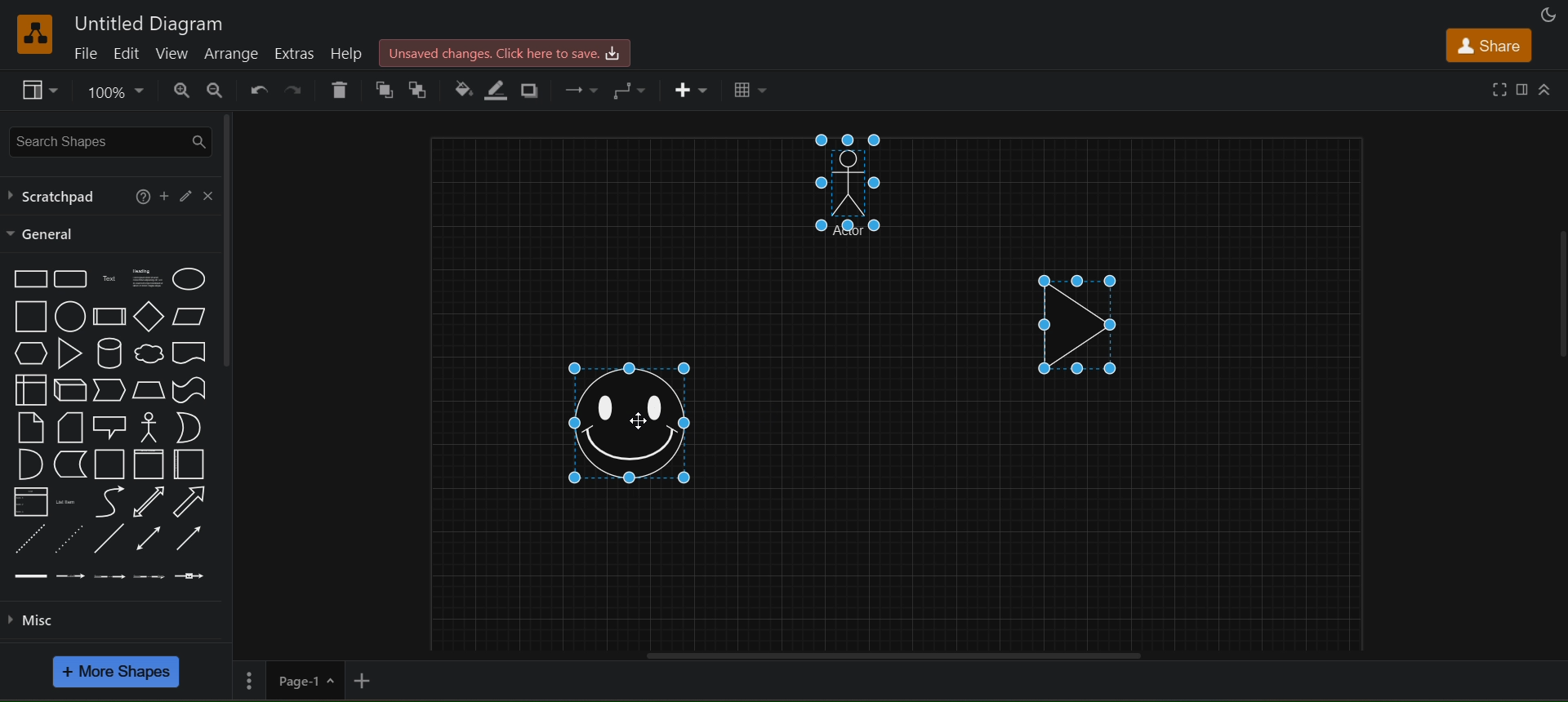  What do you see at coordinates (425, 87) in the screenshot?
I see `to back` at bounding box center [425, 87].